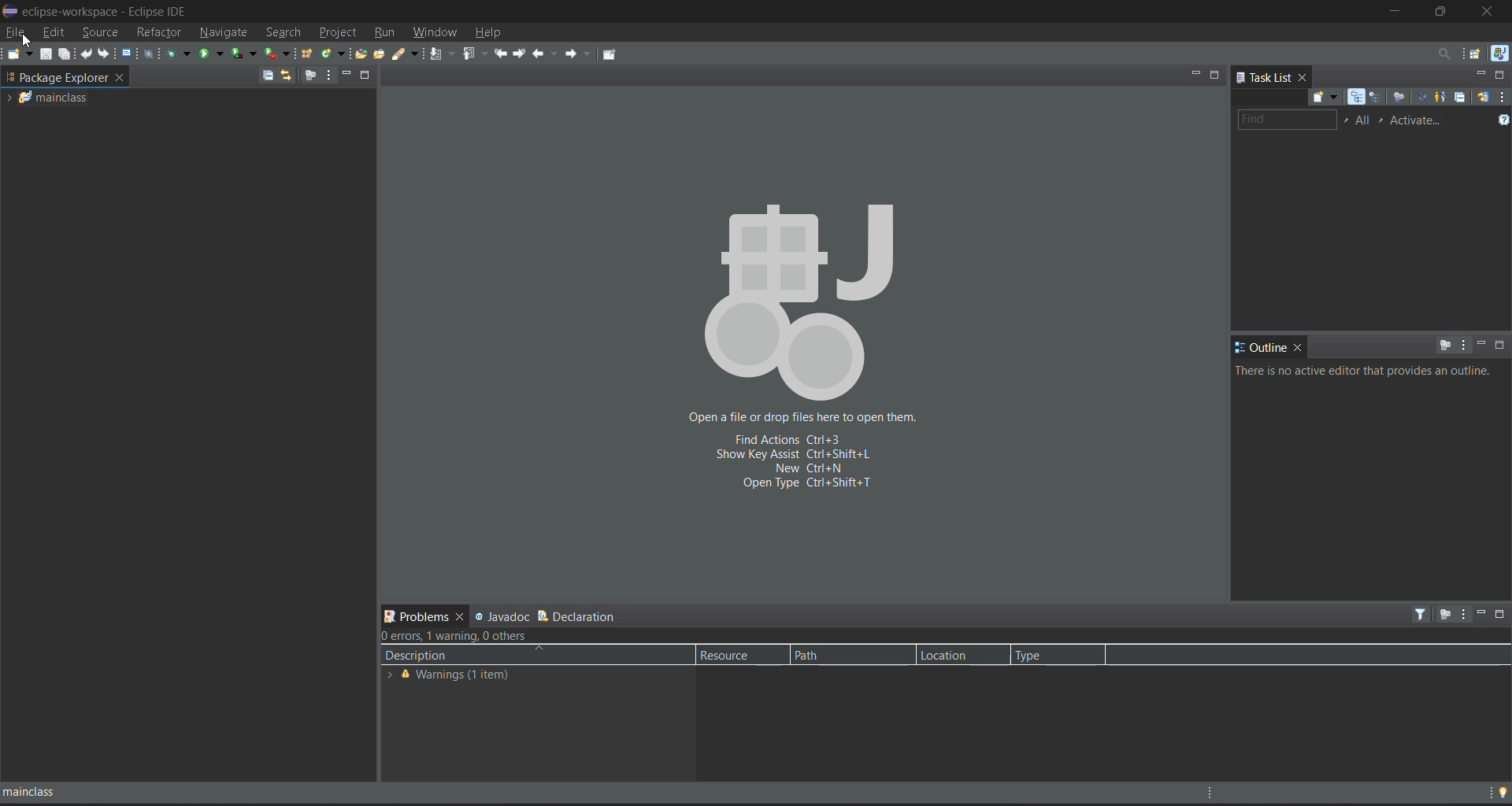  What do you see at coordinates (1463, 615) in the screenshot?
I see `view menu` at bounding box center [1463, 615].